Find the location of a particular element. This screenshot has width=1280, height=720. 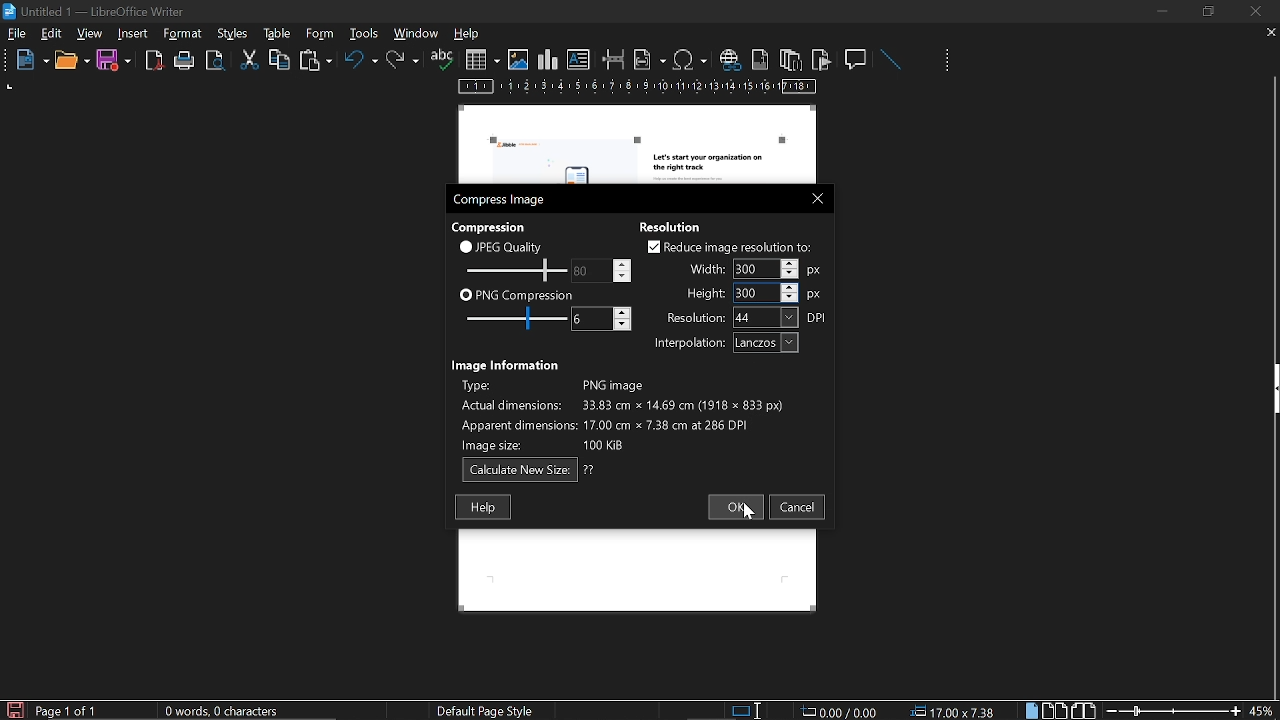

styles is located at coordinates (274, 33).